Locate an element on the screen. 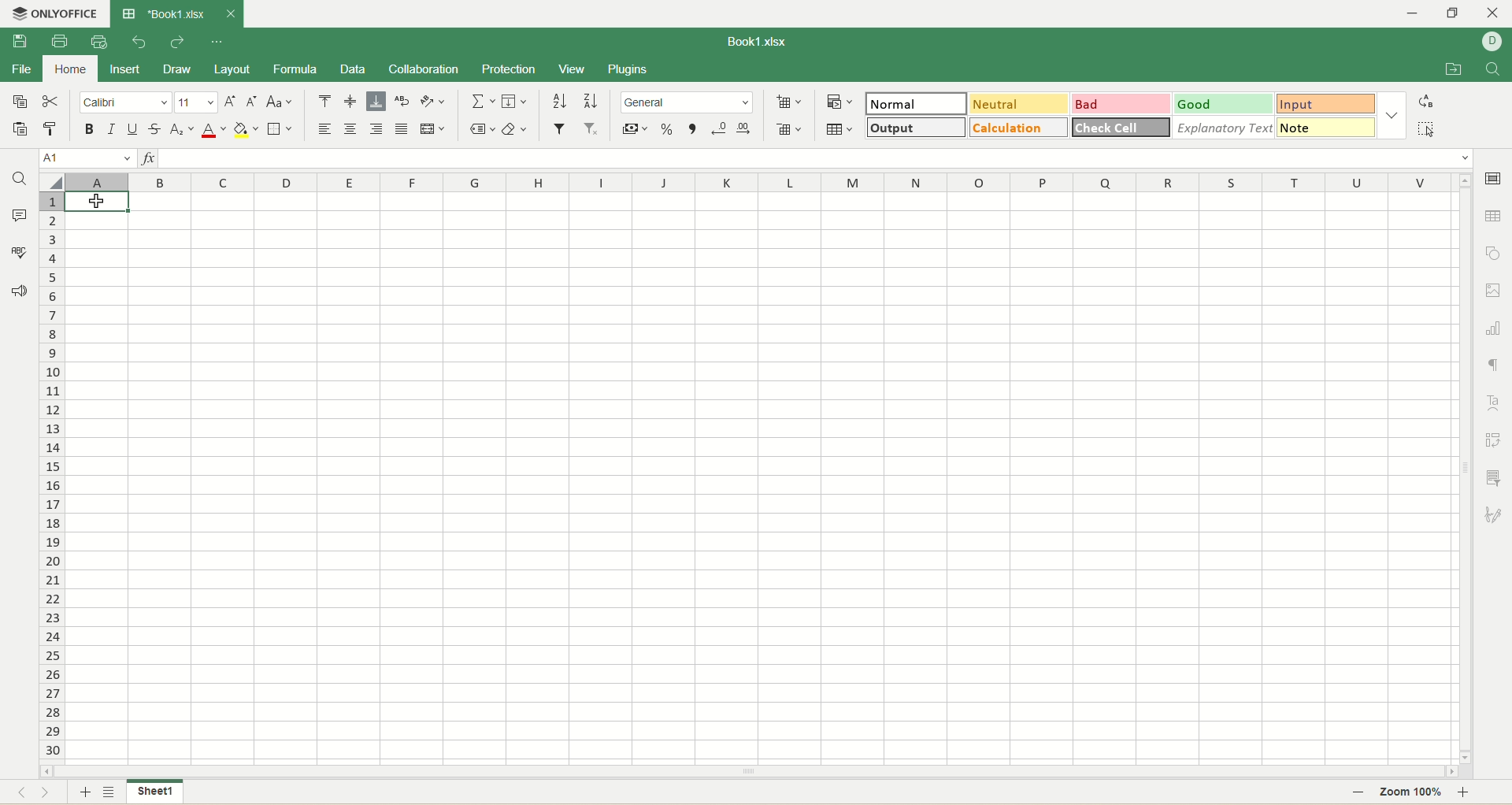  cell position is located at coordinates (89, 158).